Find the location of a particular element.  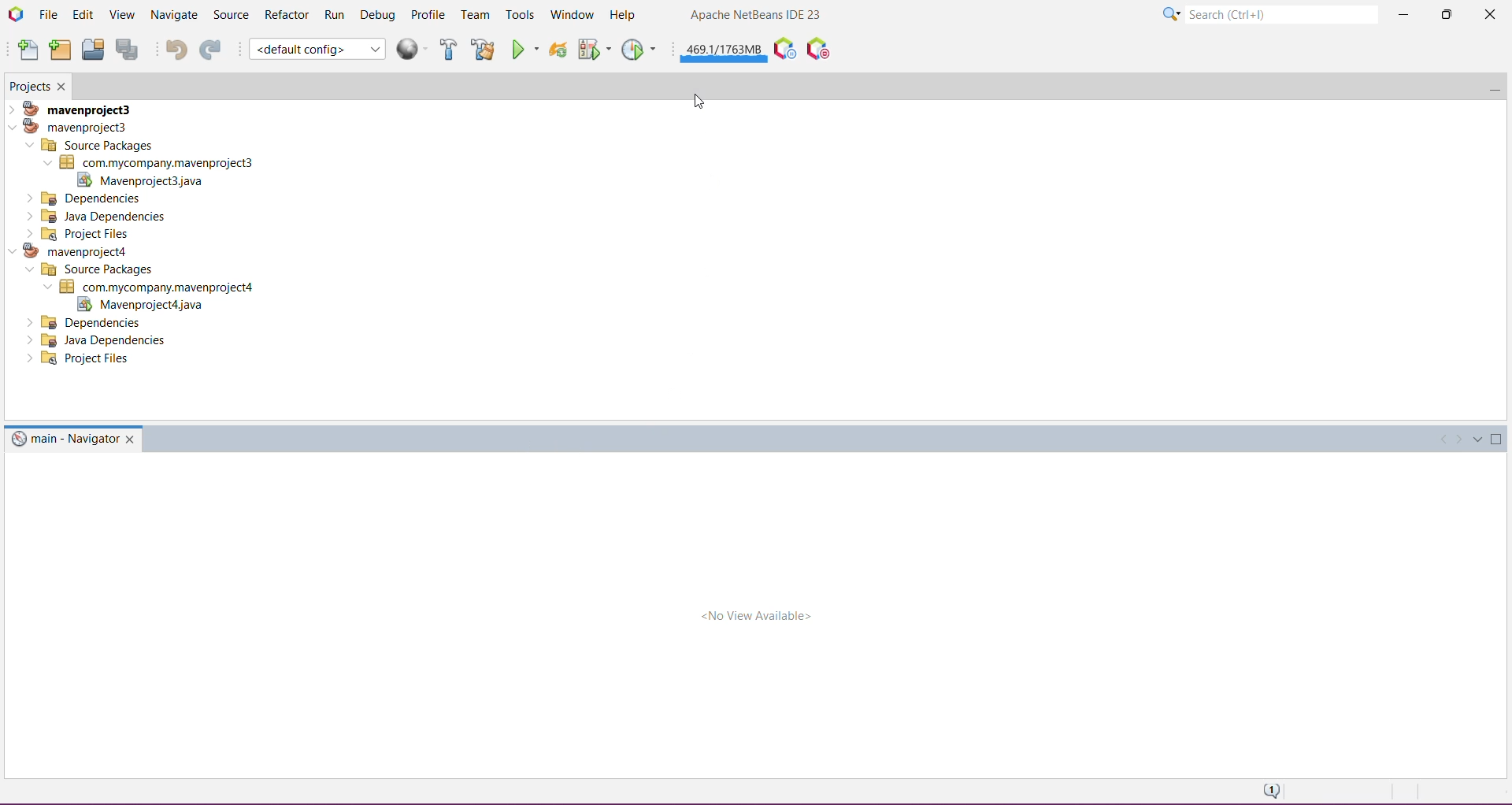

Clean and Build Project is located at coordinates (483, 49).